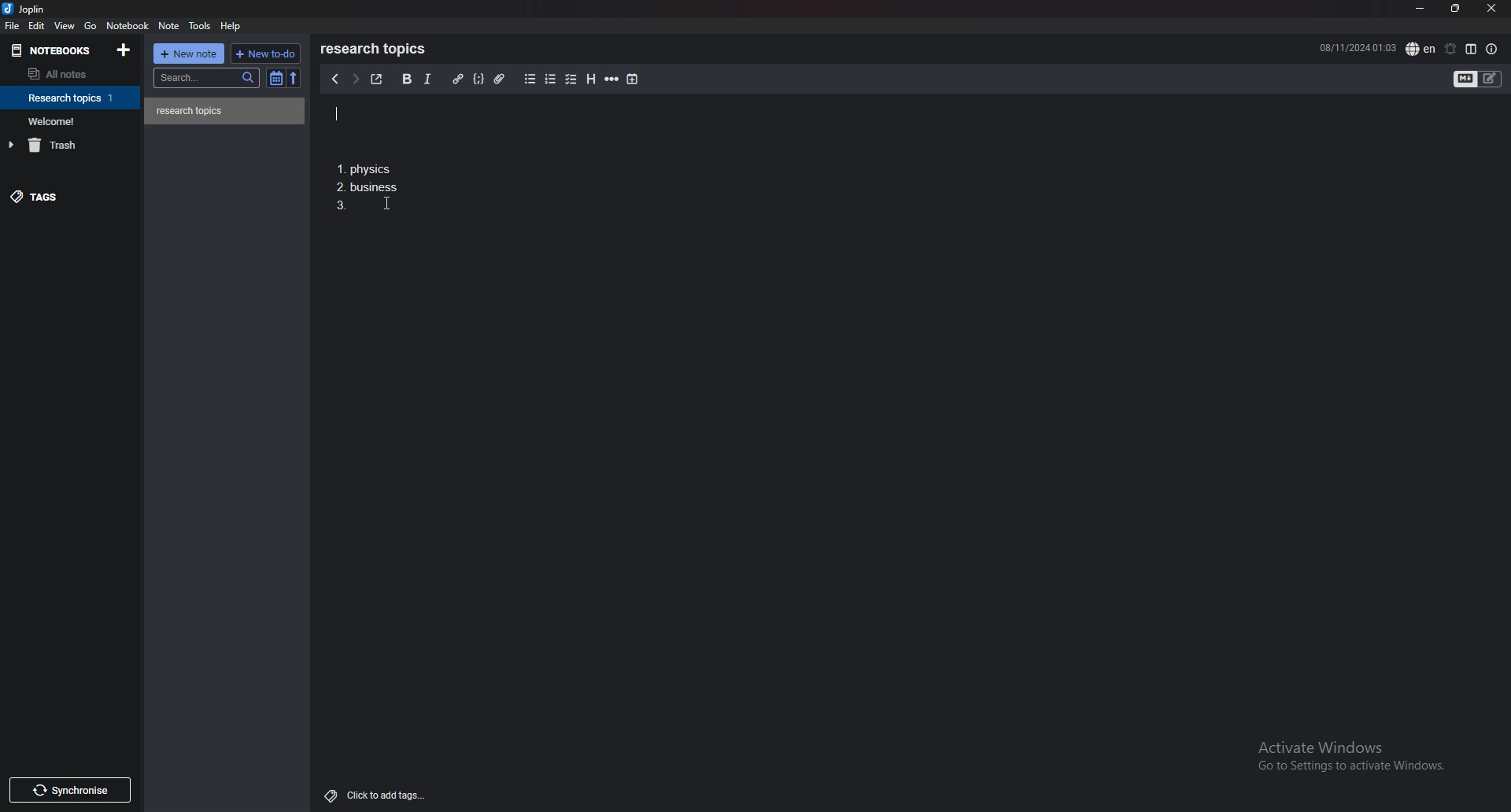  I want to click on spell check, so click(1420, 48).